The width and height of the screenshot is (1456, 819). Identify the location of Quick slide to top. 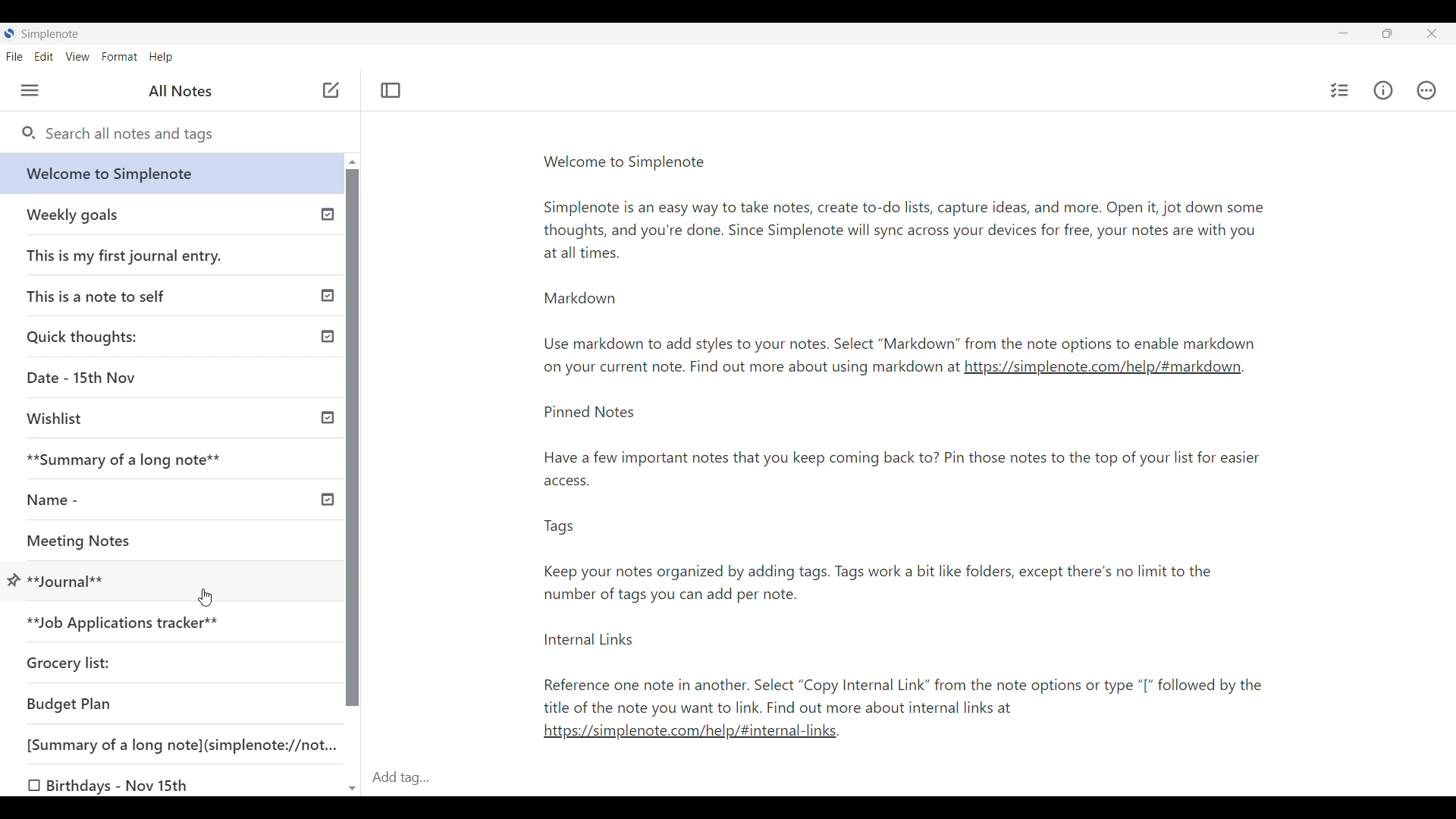
(353, 162).